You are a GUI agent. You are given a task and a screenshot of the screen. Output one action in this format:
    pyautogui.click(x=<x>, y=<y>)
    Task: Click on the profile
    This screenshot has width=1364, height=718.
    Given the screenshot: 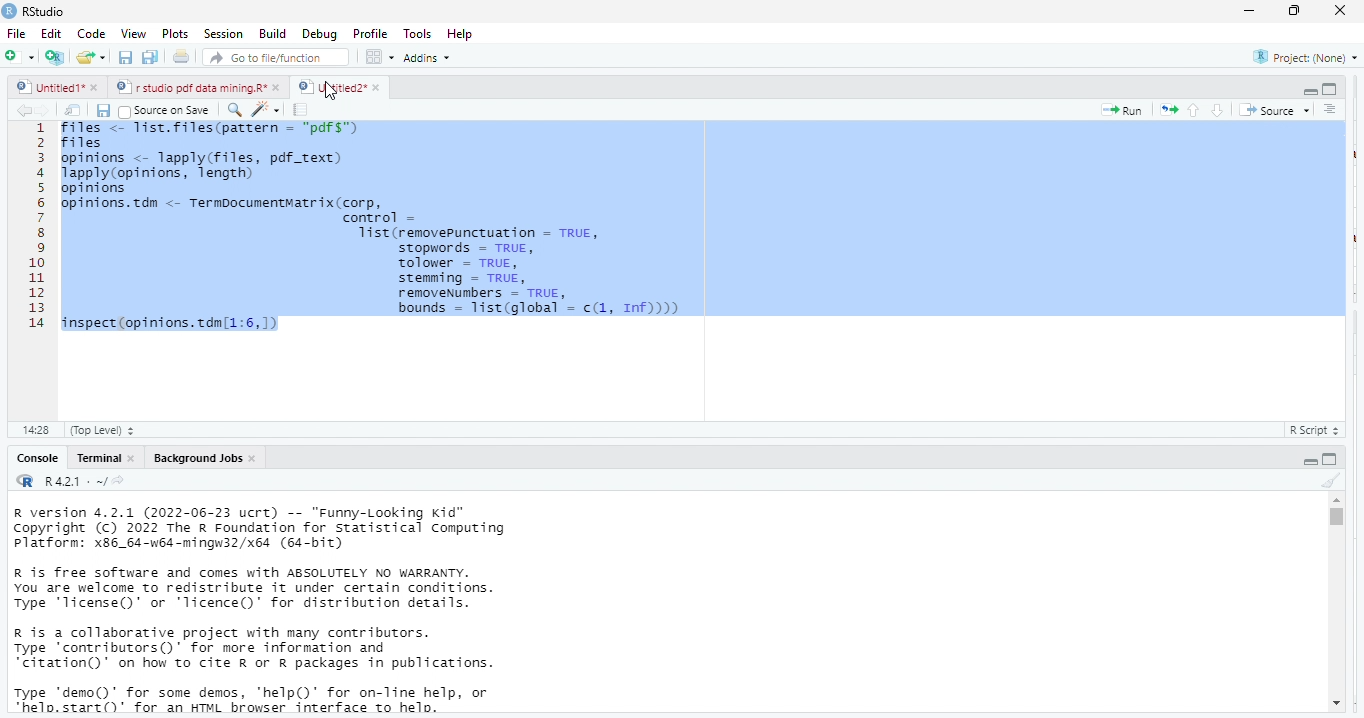 What is the action you would take?
    pyautogui.click(x=370, y=32)
    